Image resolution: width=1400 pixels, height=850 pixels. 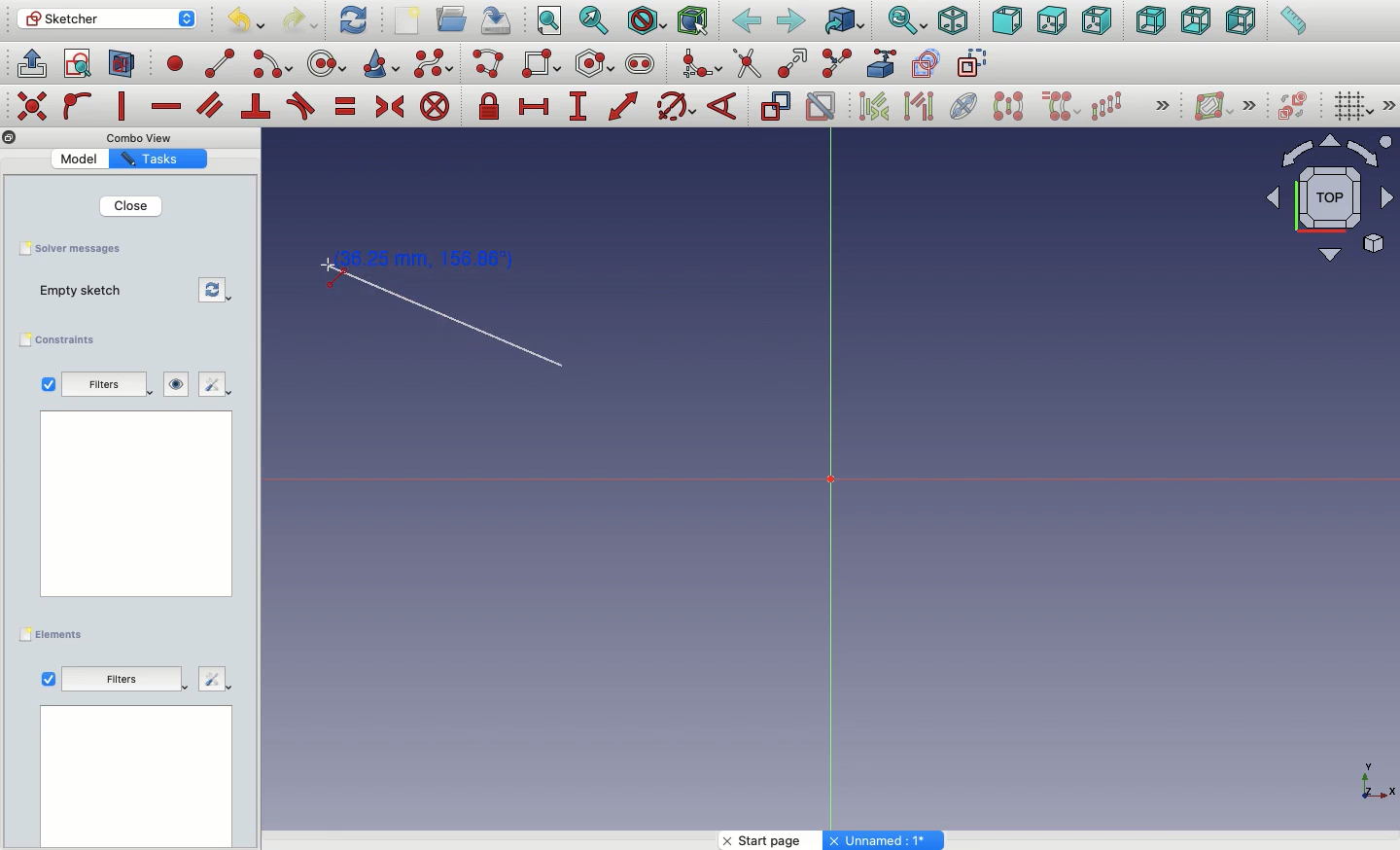 What do you see at coordinates (133, 206) in the screenshot?
I see `Close` at bounding box center [133, 206].